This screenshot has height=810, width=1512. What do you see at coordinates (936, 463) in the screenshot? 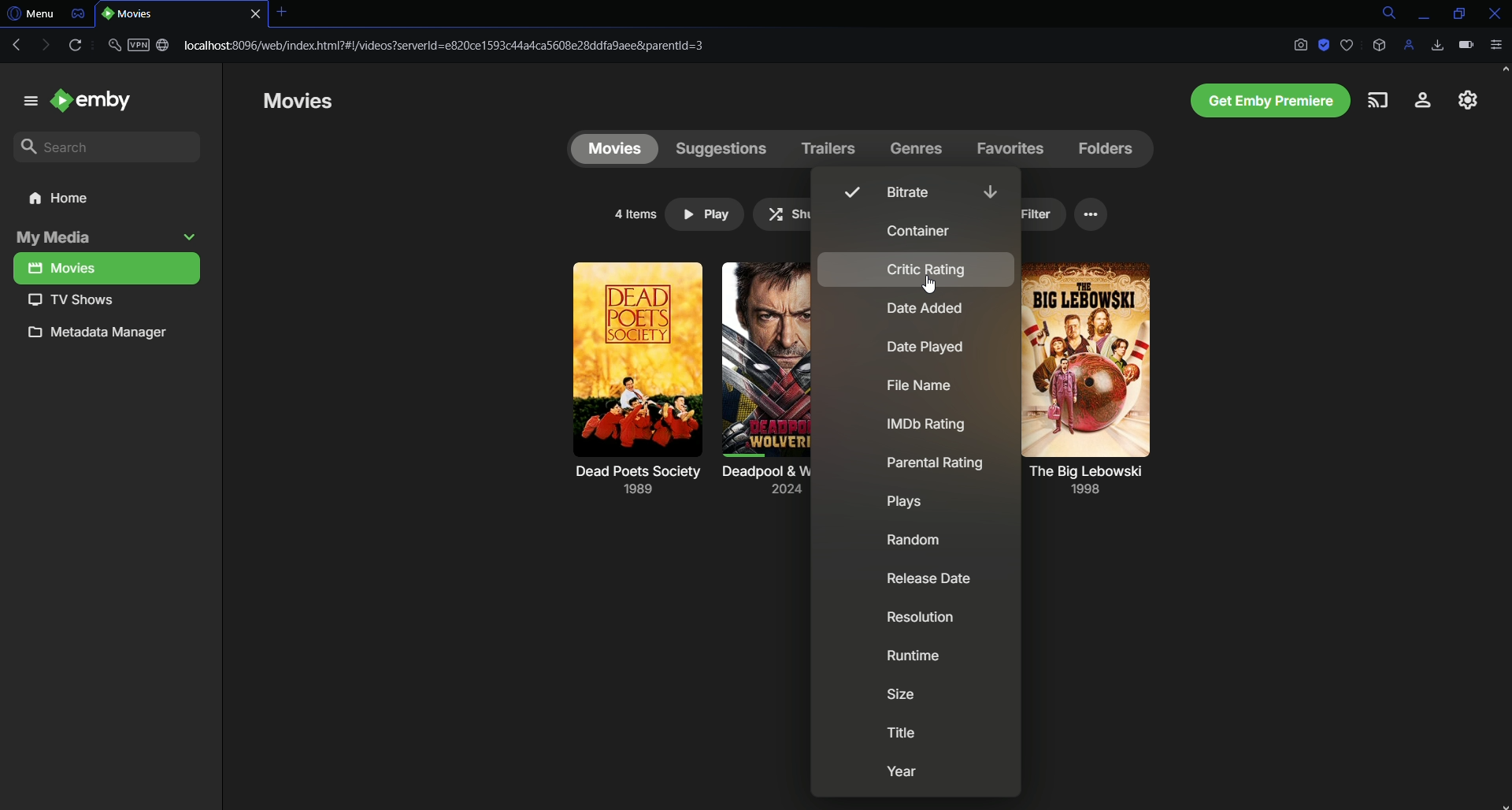
I see `Parental Rating` at bounding box center [936, 463].